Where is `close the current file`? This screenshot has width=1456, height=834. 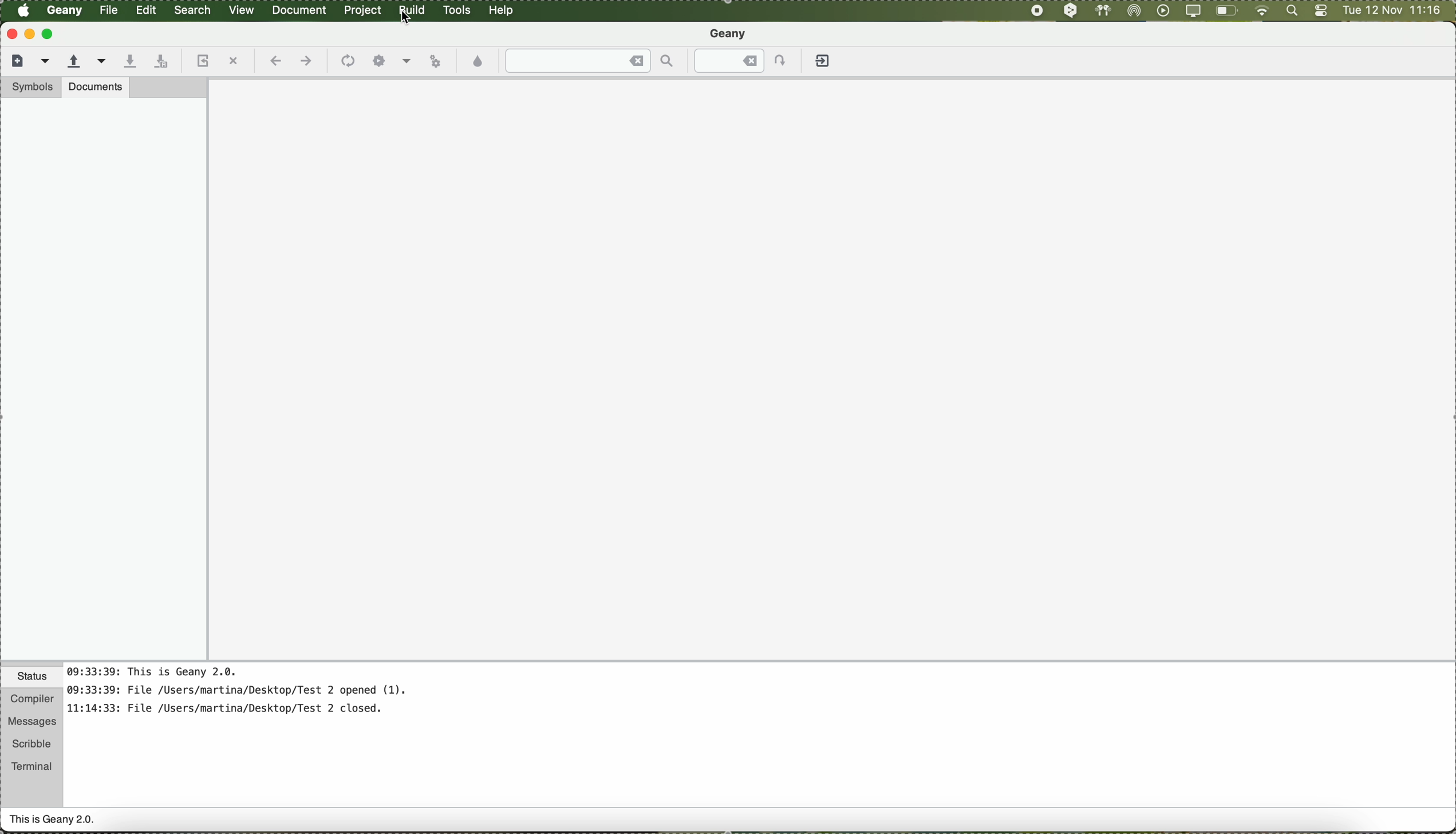 close the current file is located at coordinates (233, 62).